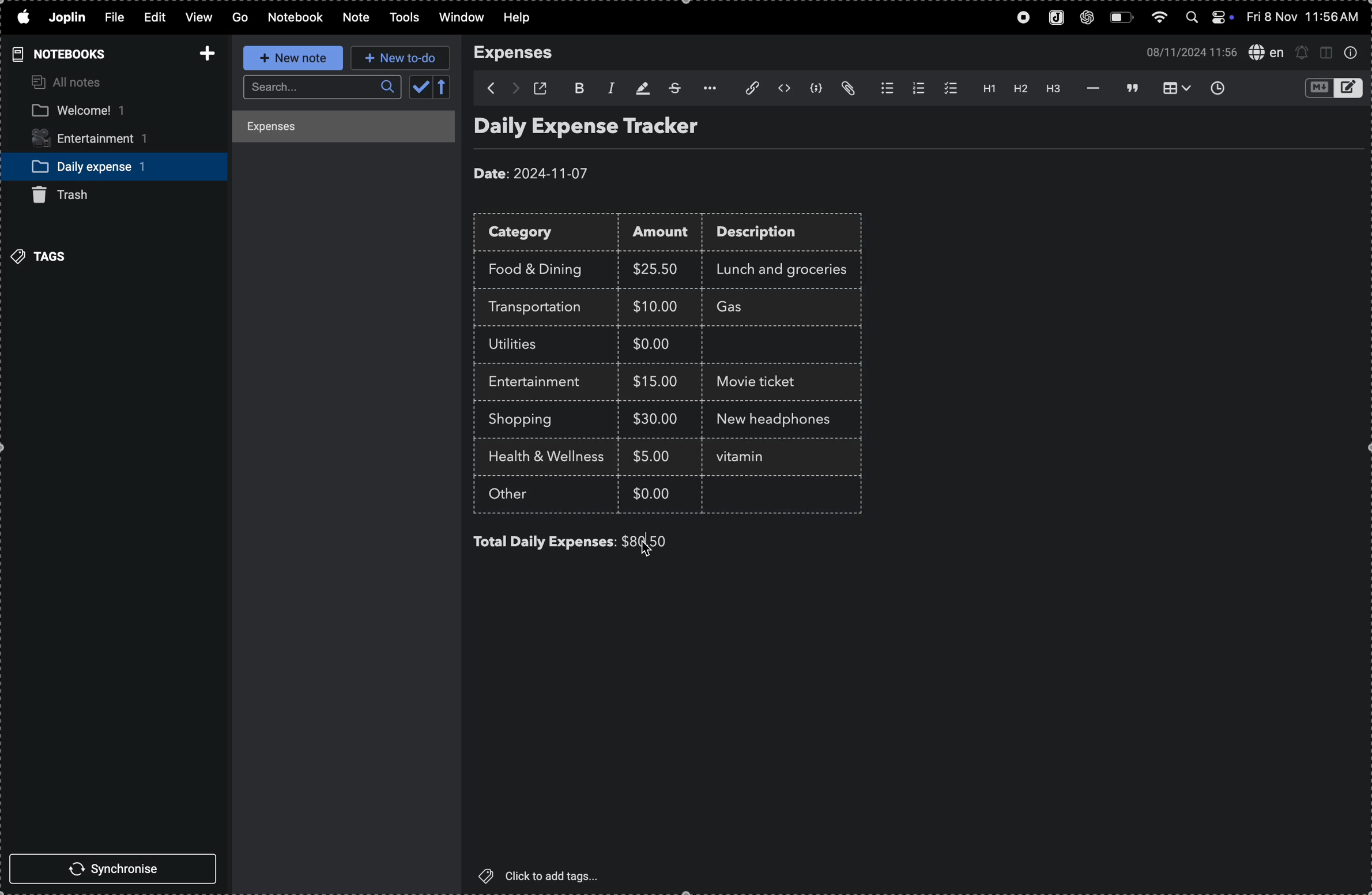 This screenshot has height=895, width=1372. I want to click on attach file, so click(850, 89).